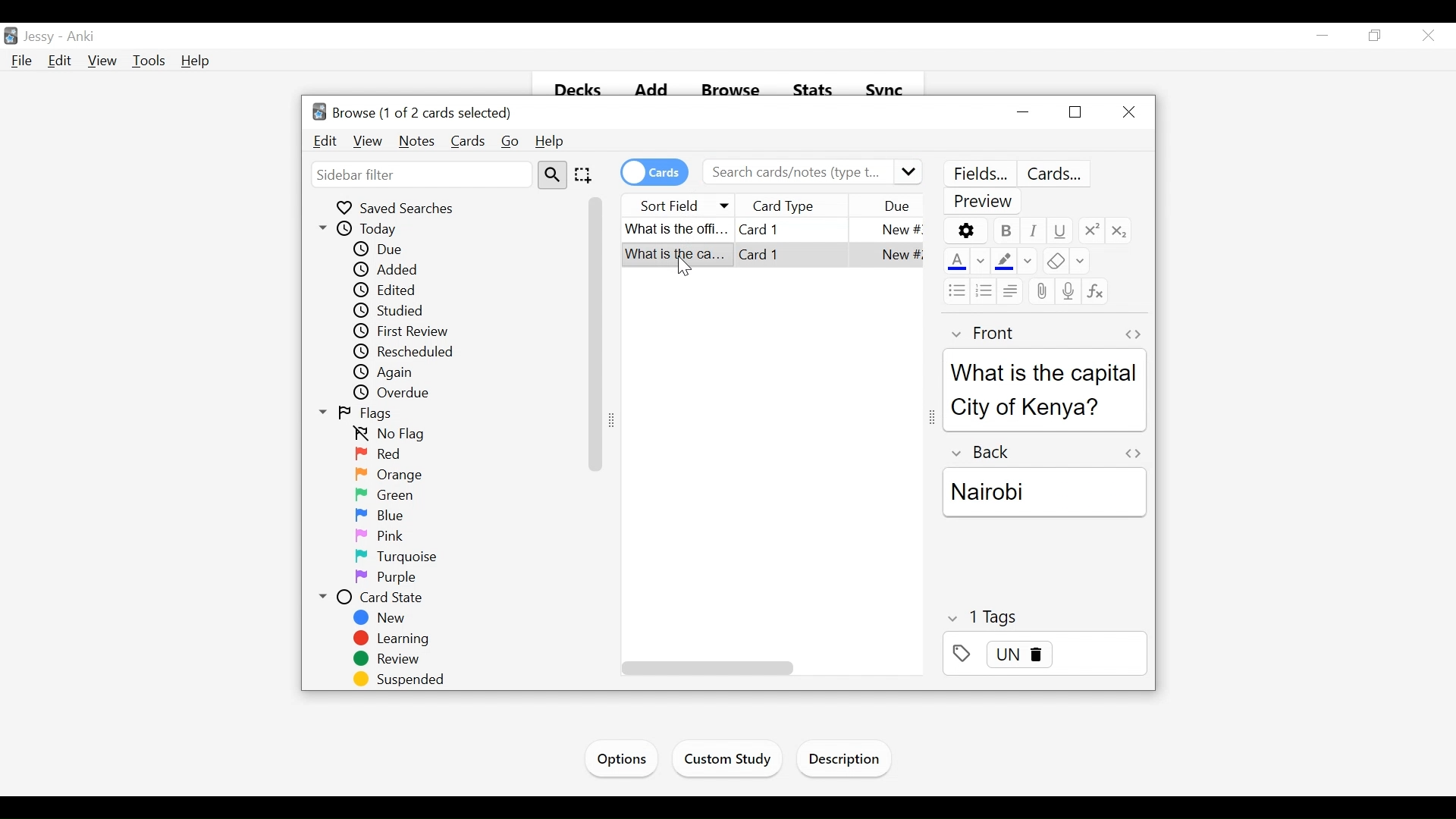 Image resolution: width=1456 pixels, height=819 pixels. Describe the element at coordinates (896, 206) in the screenshot. I see `Due` at that location.